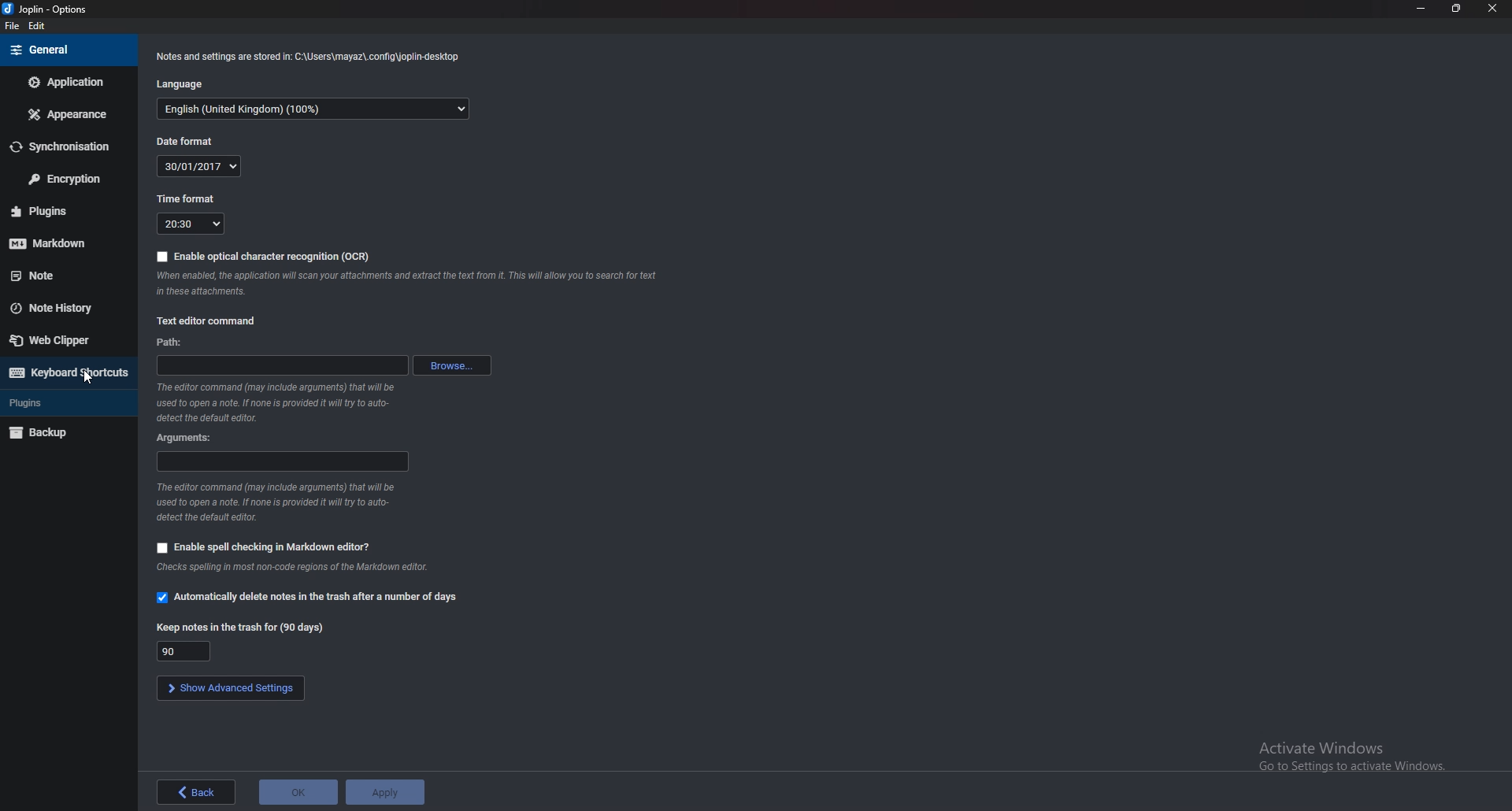 The image size is (1512, 811). Describe the element at coordinates (283, 462) in the screenshot. I see `Arguments` at that location.